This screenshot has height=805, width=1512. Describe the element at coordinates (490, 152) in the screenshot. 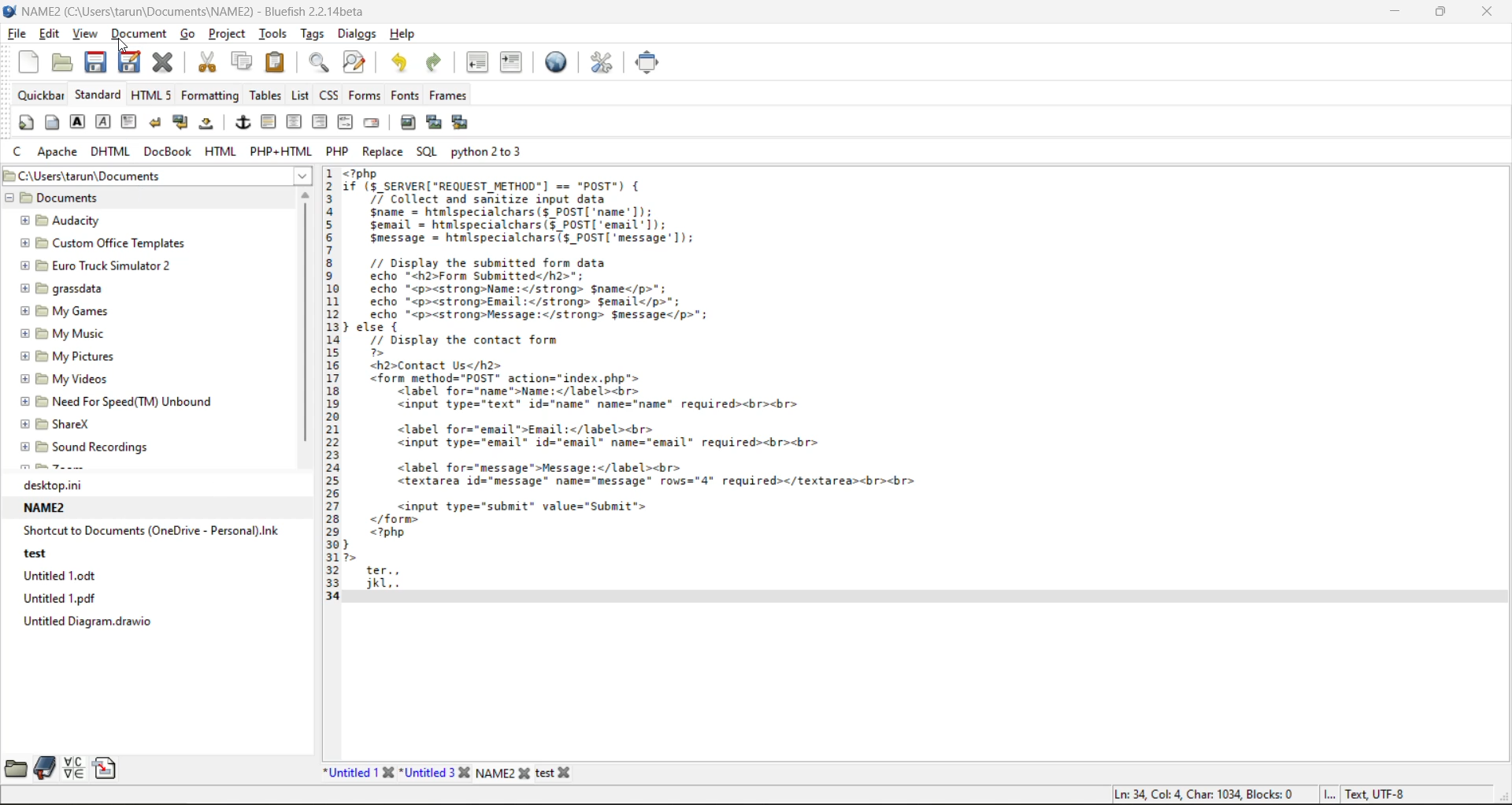

I see `python 2 to 3` at that location.